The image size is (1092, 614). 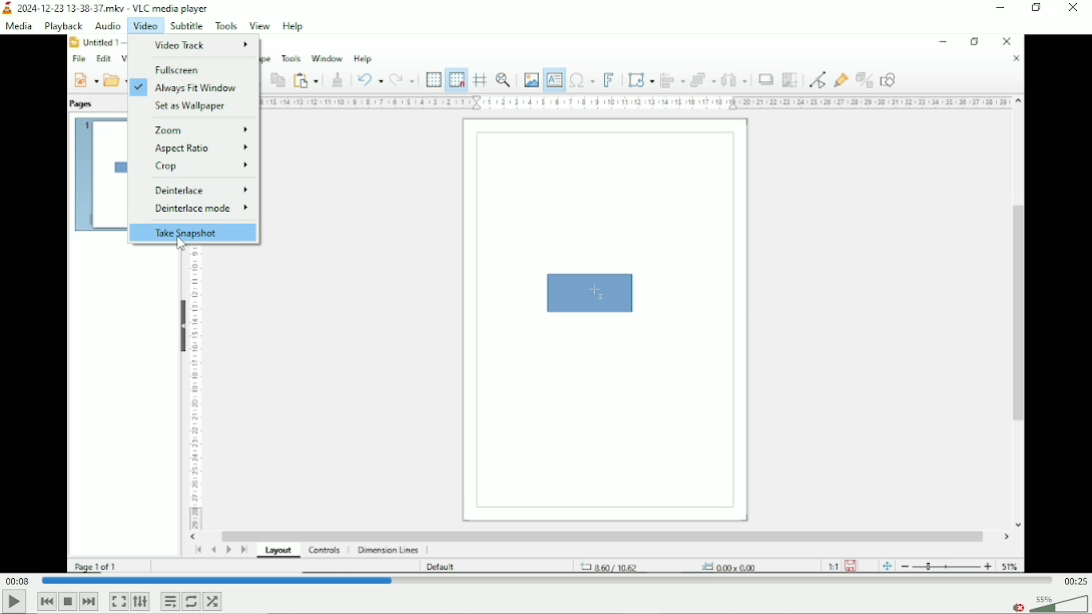 I want to click on checked, so click(x=136, y=87).